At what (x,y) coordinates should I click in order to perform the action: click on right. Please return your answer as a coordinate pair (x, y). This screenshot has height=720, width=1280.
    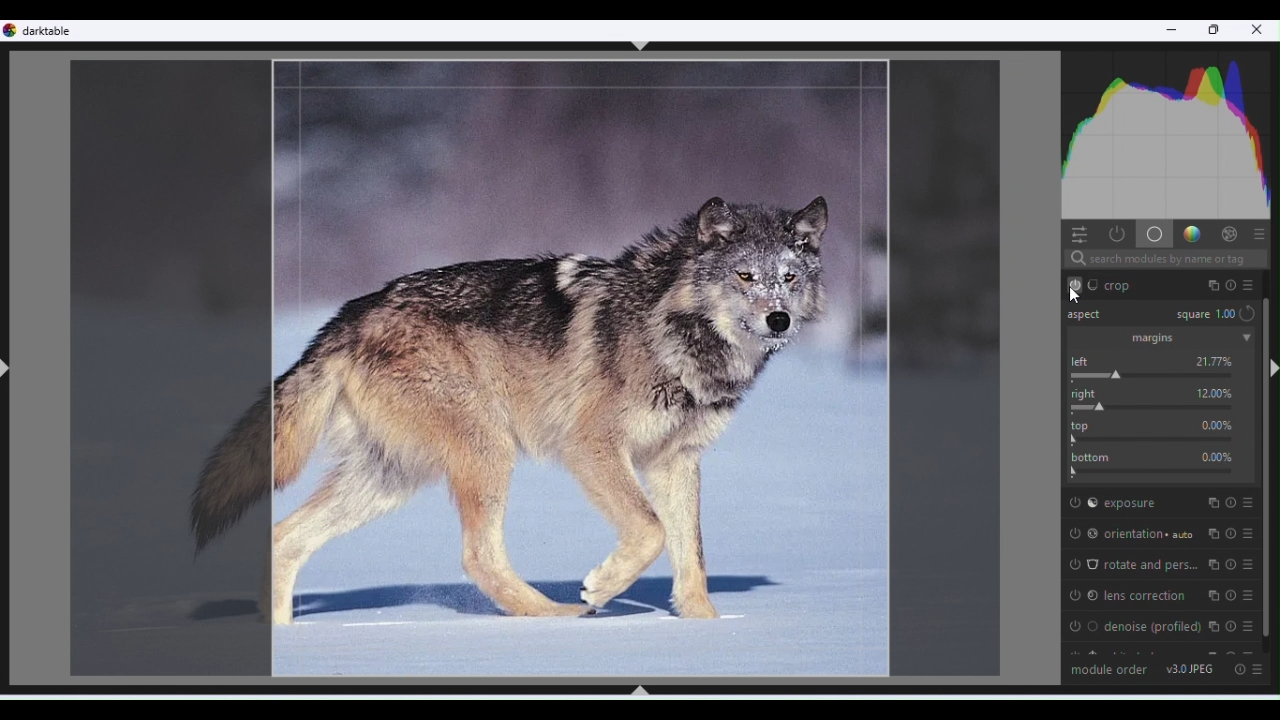
    Looking at the image, I should click on (1087, 393).